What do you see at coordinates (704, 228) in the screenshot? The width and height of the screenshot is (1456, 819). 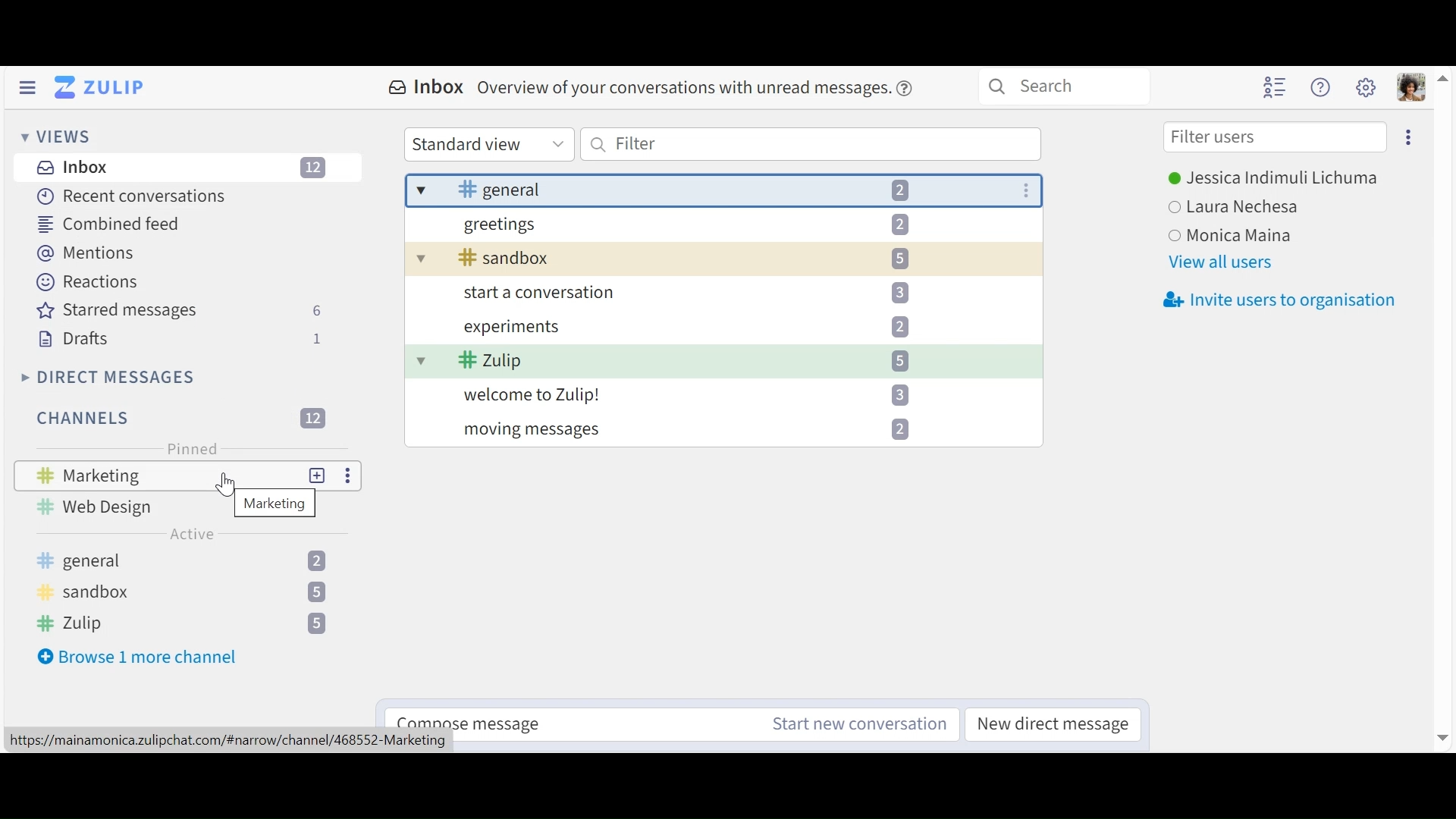 I see `greetings` at bounding box center [704, 228].